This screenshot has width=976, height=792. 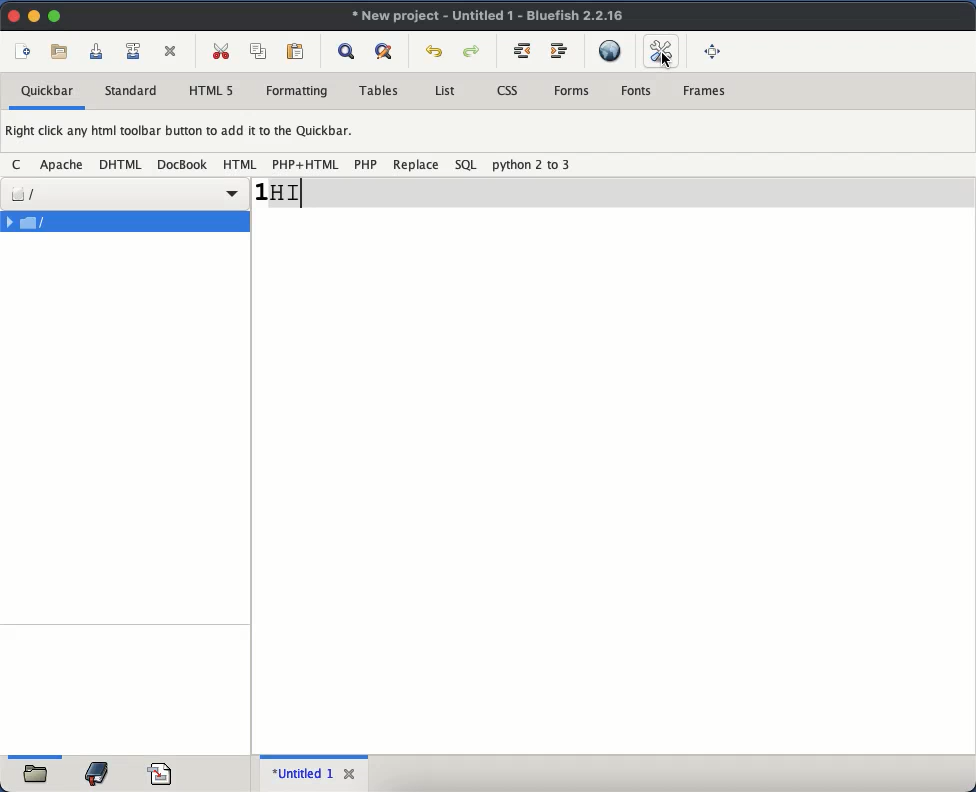 What do you see at coordinates (26, 50) in the screenshot?
I see `new file` at bounding box center [26, 50].